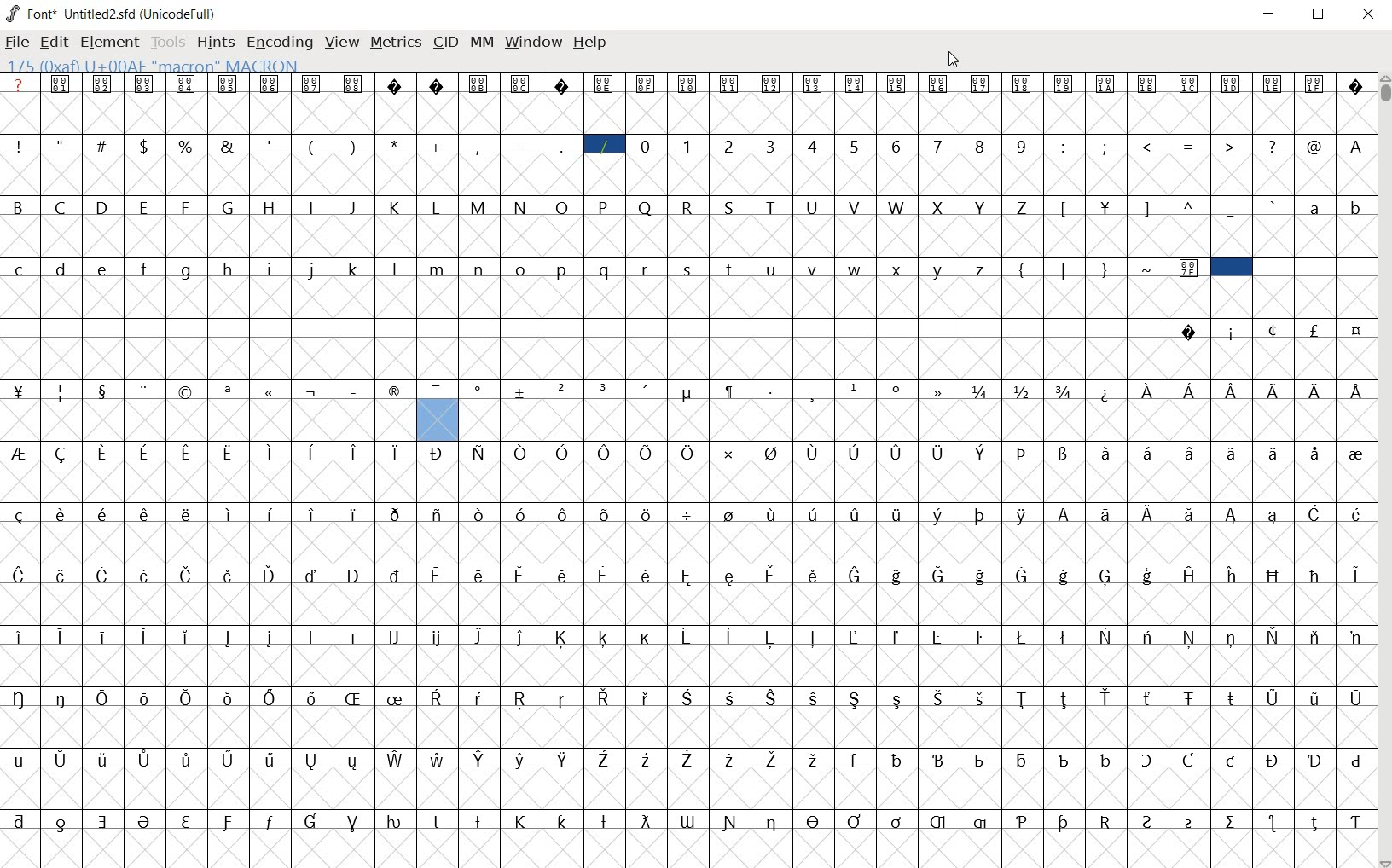 The height and width of the screenshot is (868, 1392). Describe the element at coordinates (1232, 389) in the screenshot. I see `Symbol` at that location.